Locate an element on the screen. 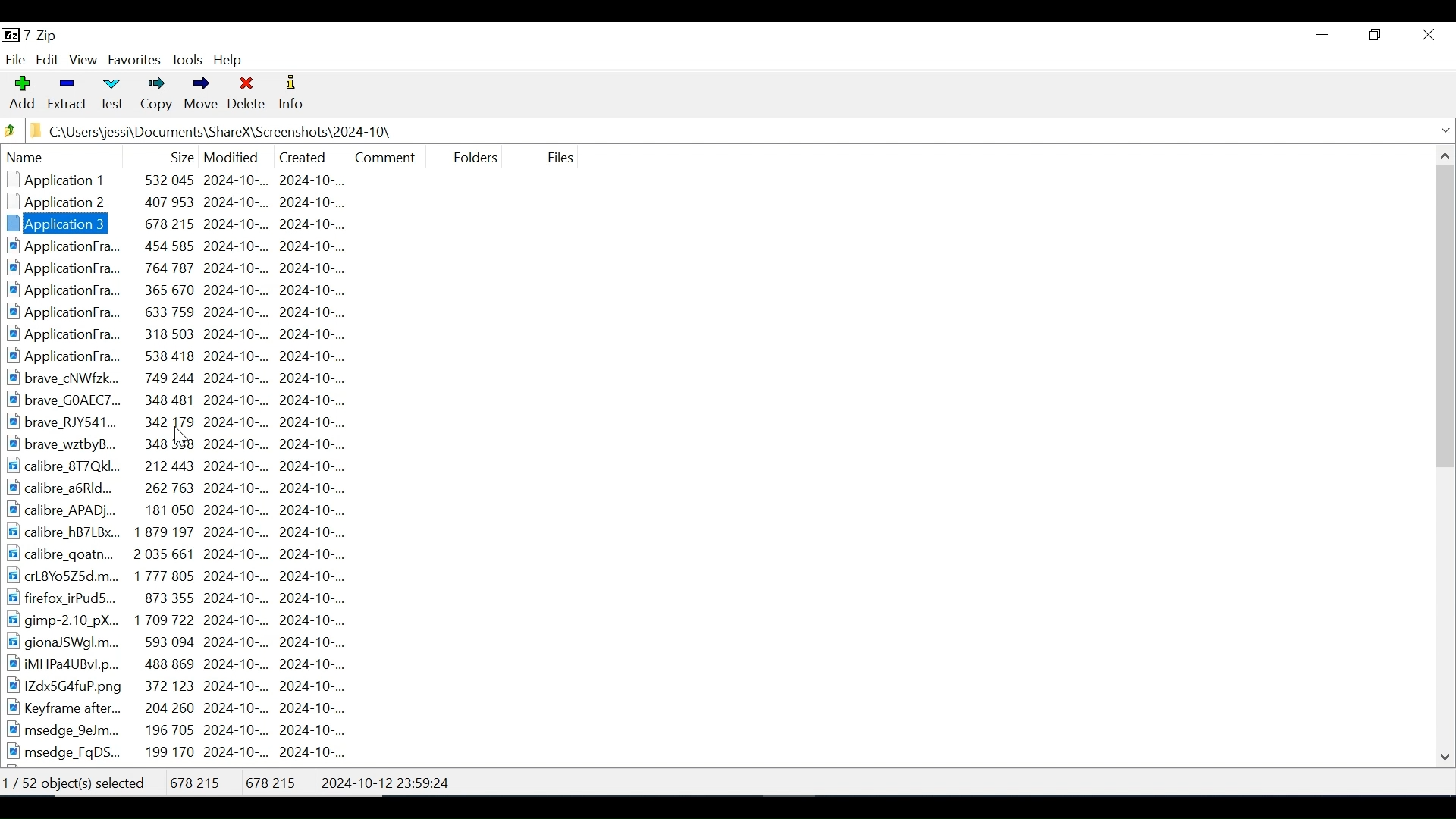 This screenshot has width=1456, height=819. File is located at coordinates (15, 58).